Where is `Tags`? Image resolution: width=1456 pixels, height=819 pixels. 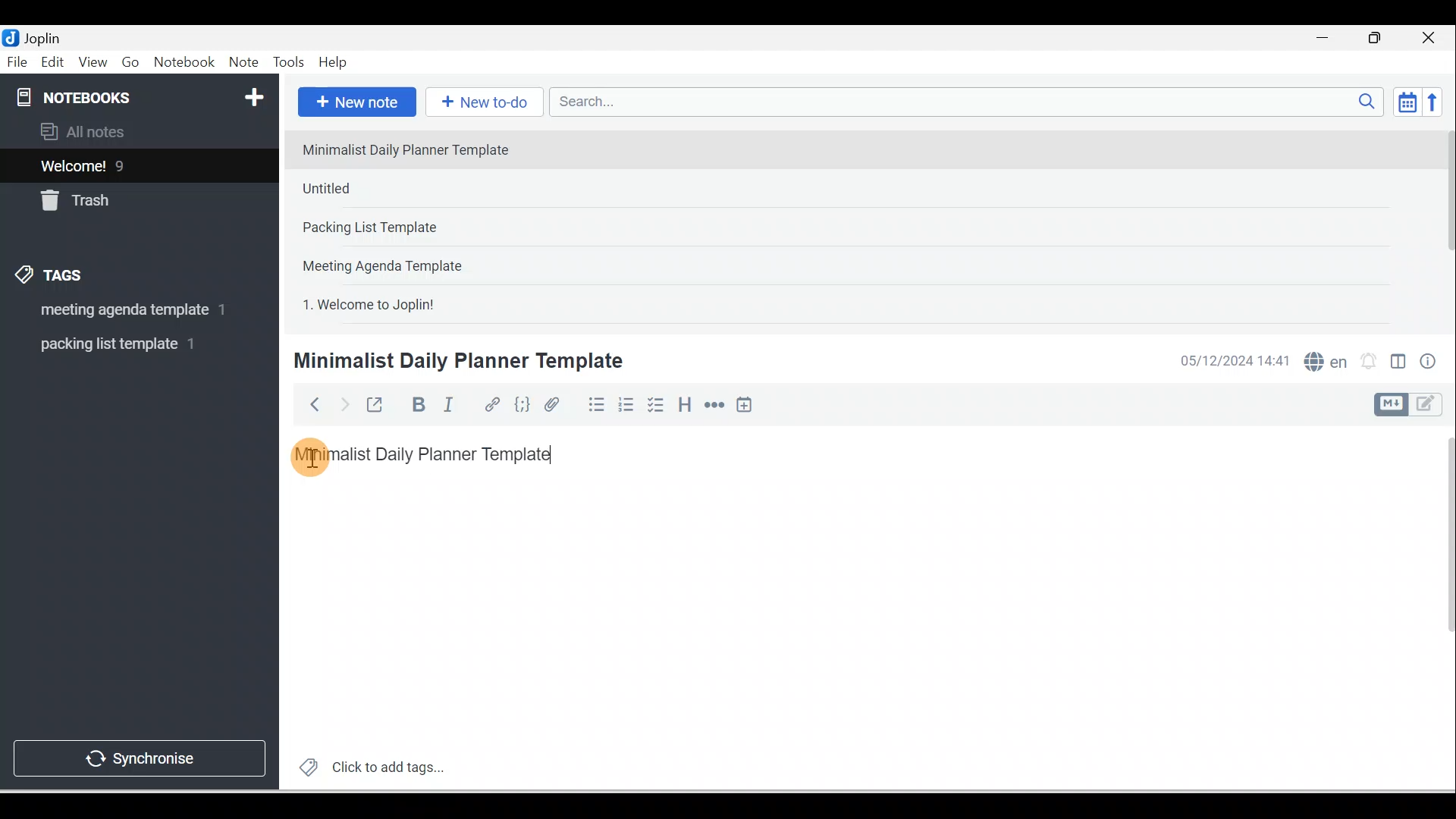
Tags is located at coordinates (54, 278).